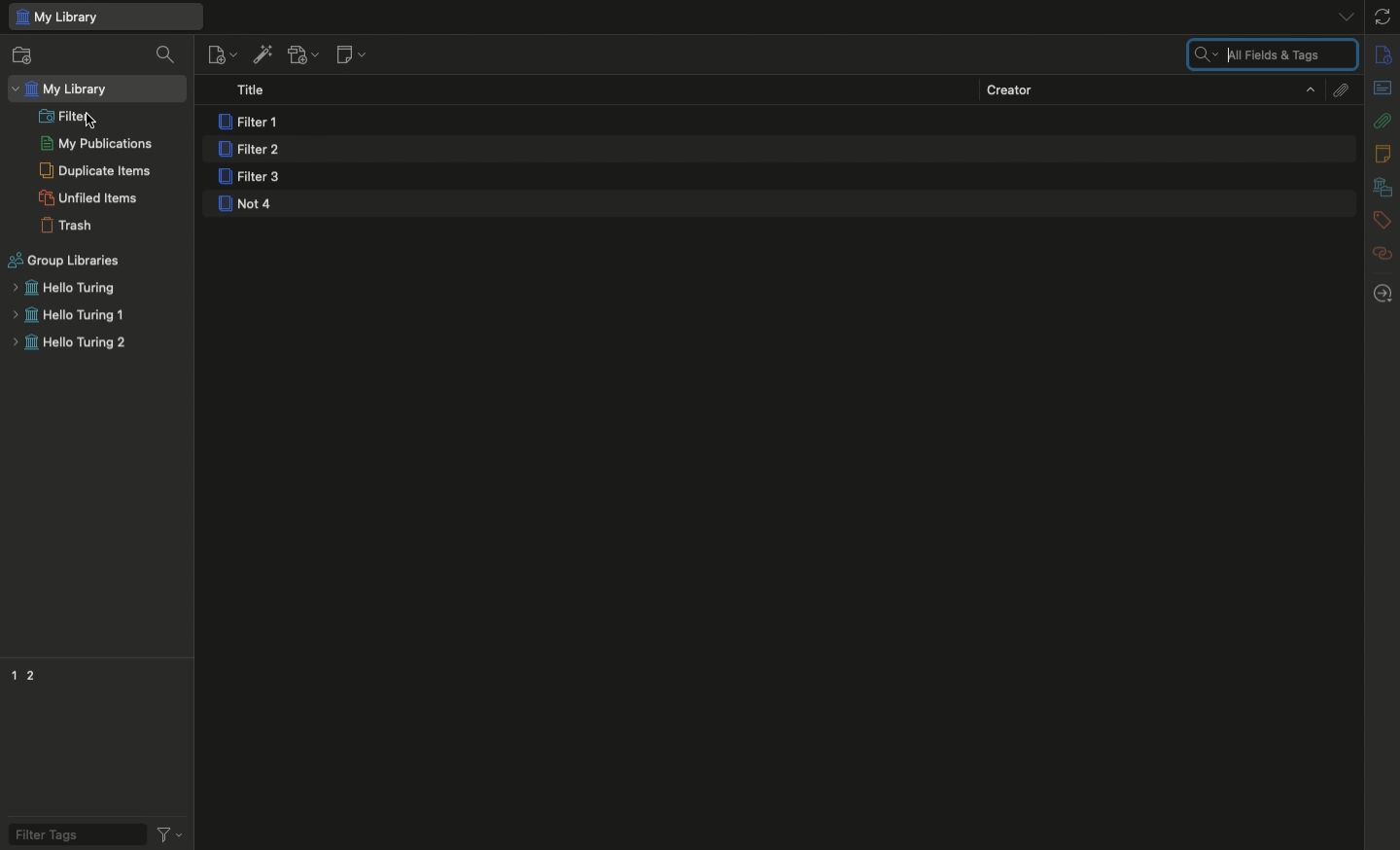  I want to click on Unified items, so click(91, 197).